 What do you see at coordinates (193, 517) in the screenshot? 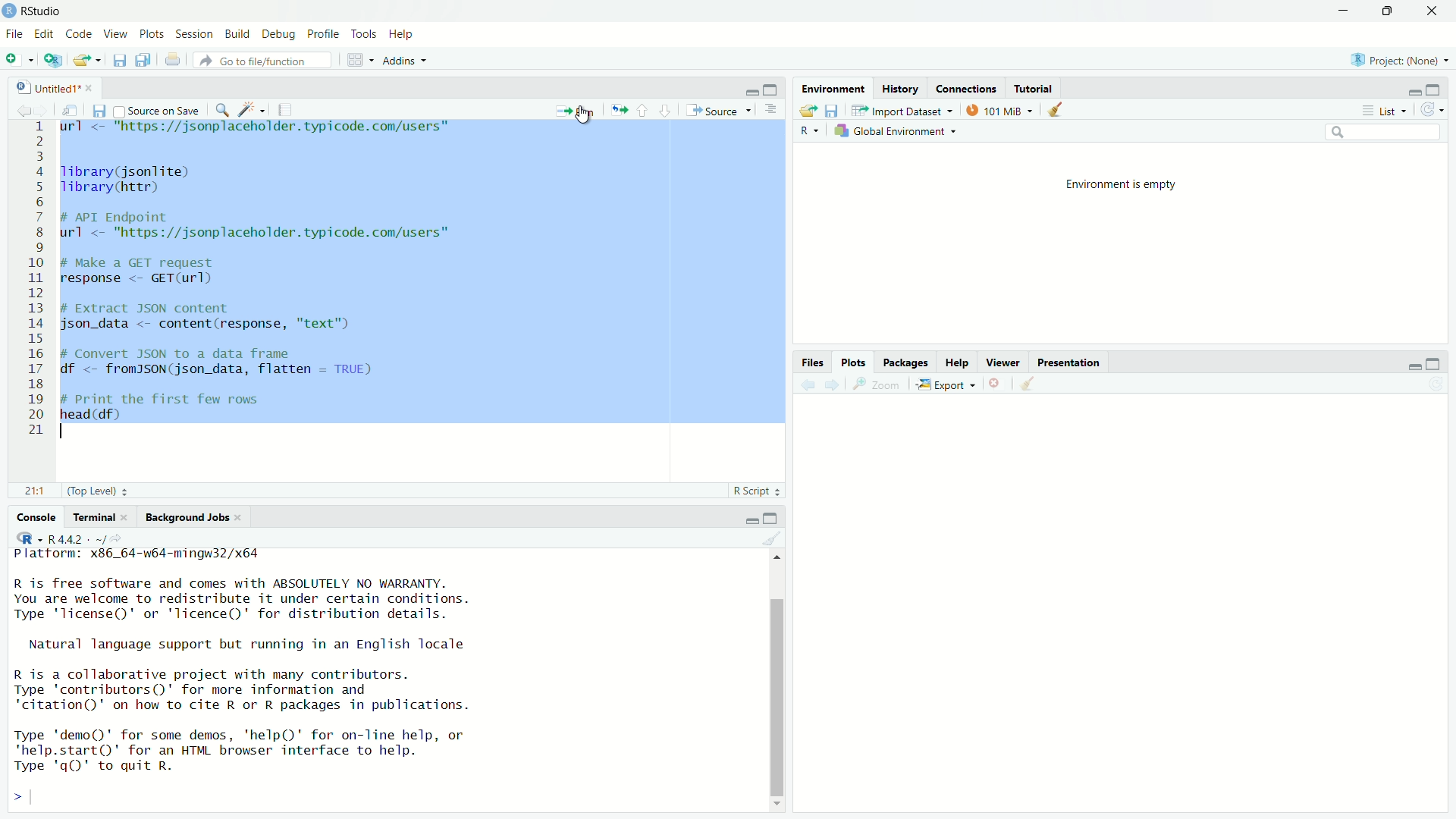
I see `Background Jobs` at bounding box center [193, 517].